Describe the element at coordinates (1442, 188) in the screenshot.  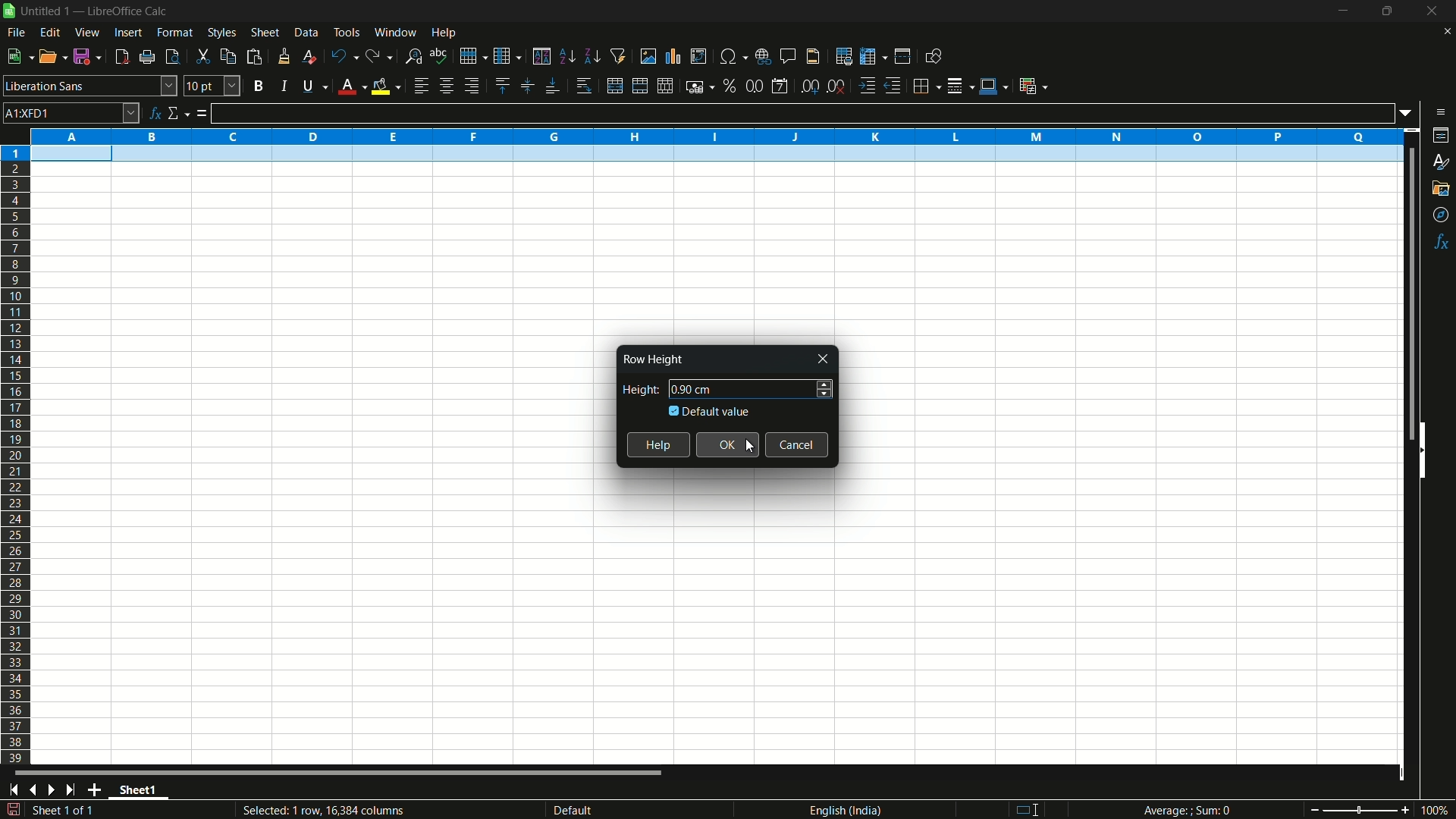
I see `gallery` at that location.